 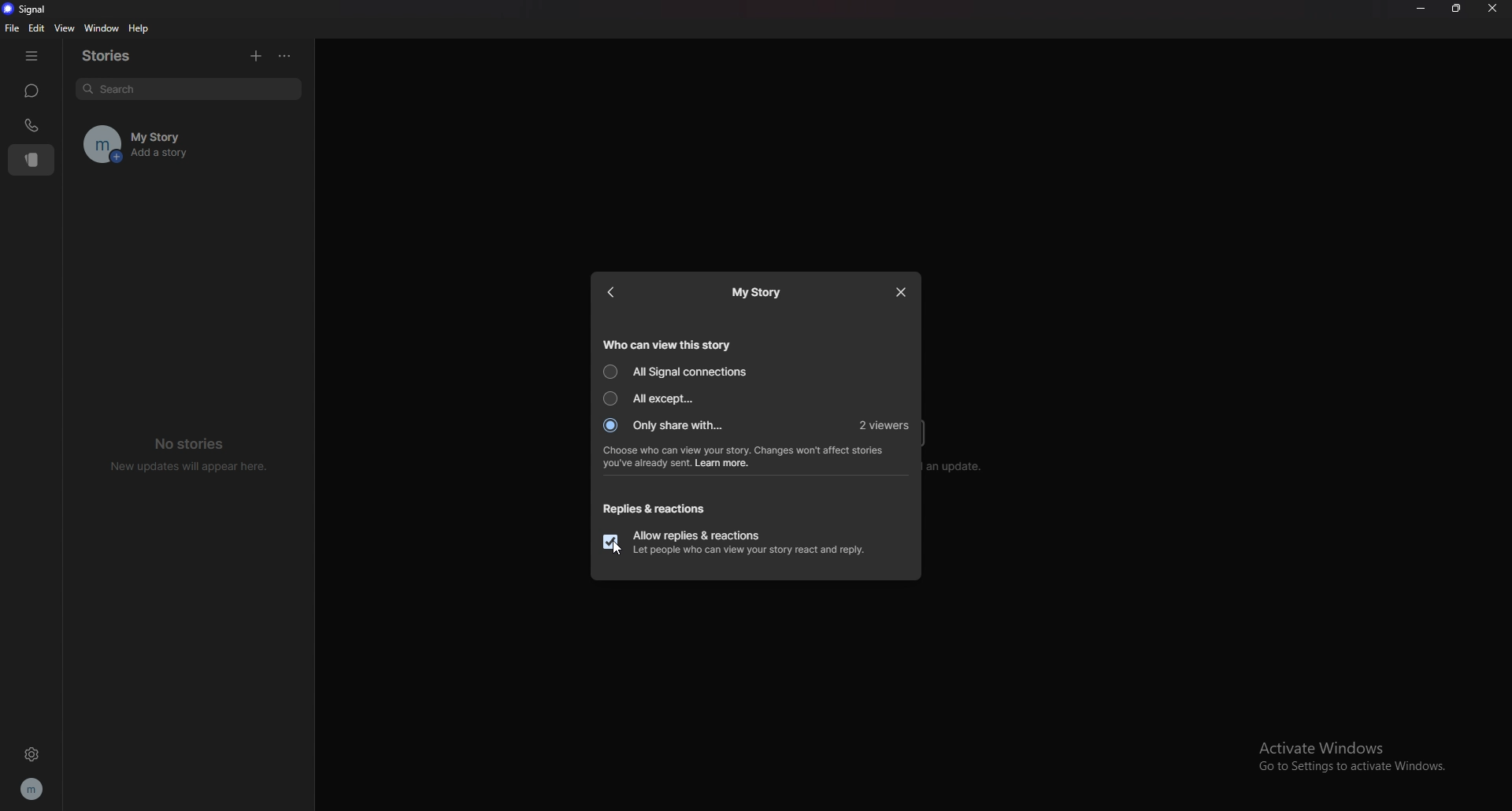 What do you see at coordinates (33, 788) in the screenshot?
I see `profile` at bounding box center [33, 788].